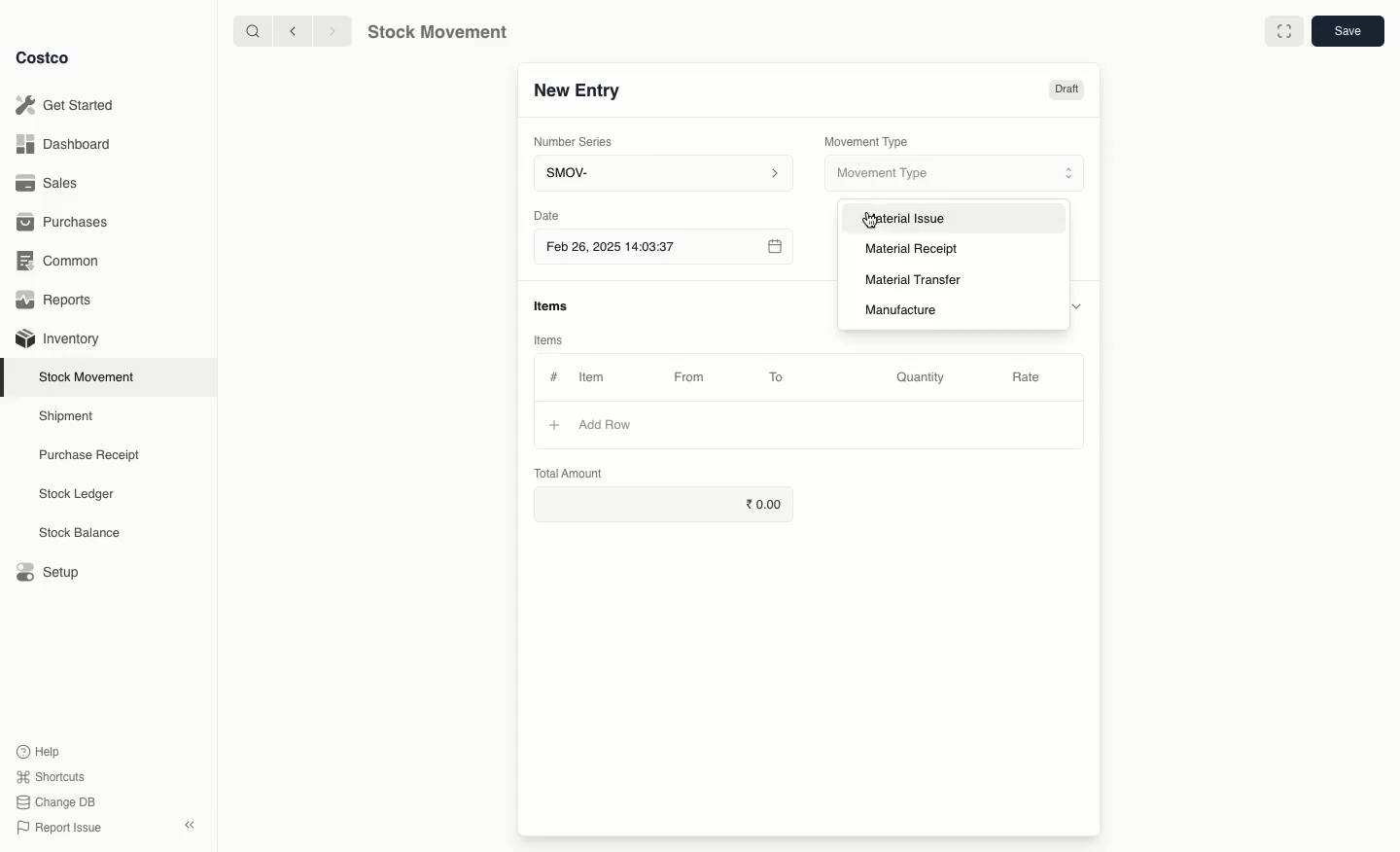 The image size is (1400, 852). What do you see at coordinates (915, 279) in the screenshot?
I see `Material Transfer` at bounding box center [915, 279].